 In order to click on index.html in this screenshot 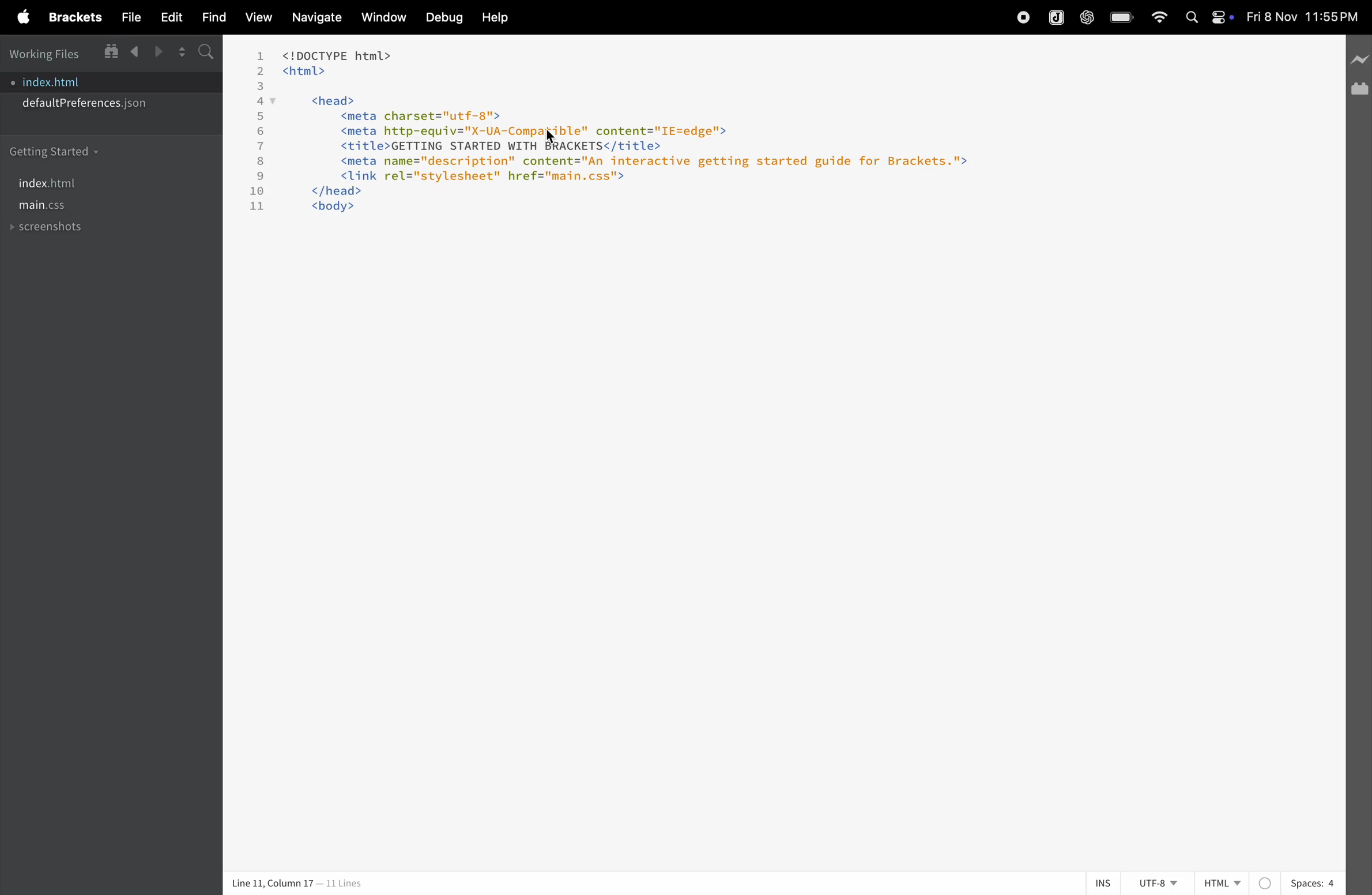, I will do `click(67, 81)`.